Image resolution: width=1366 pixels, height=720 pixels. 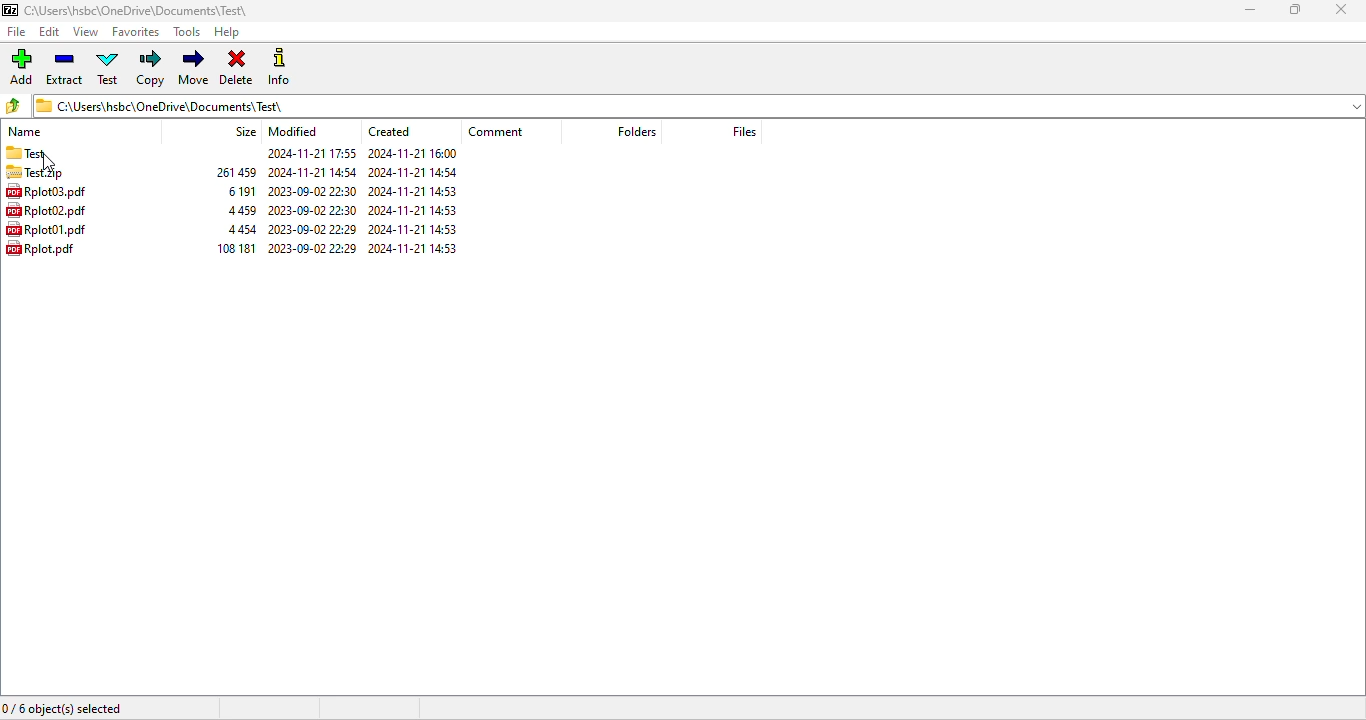 I want to click on browse folders, so click(x=12, y=106).